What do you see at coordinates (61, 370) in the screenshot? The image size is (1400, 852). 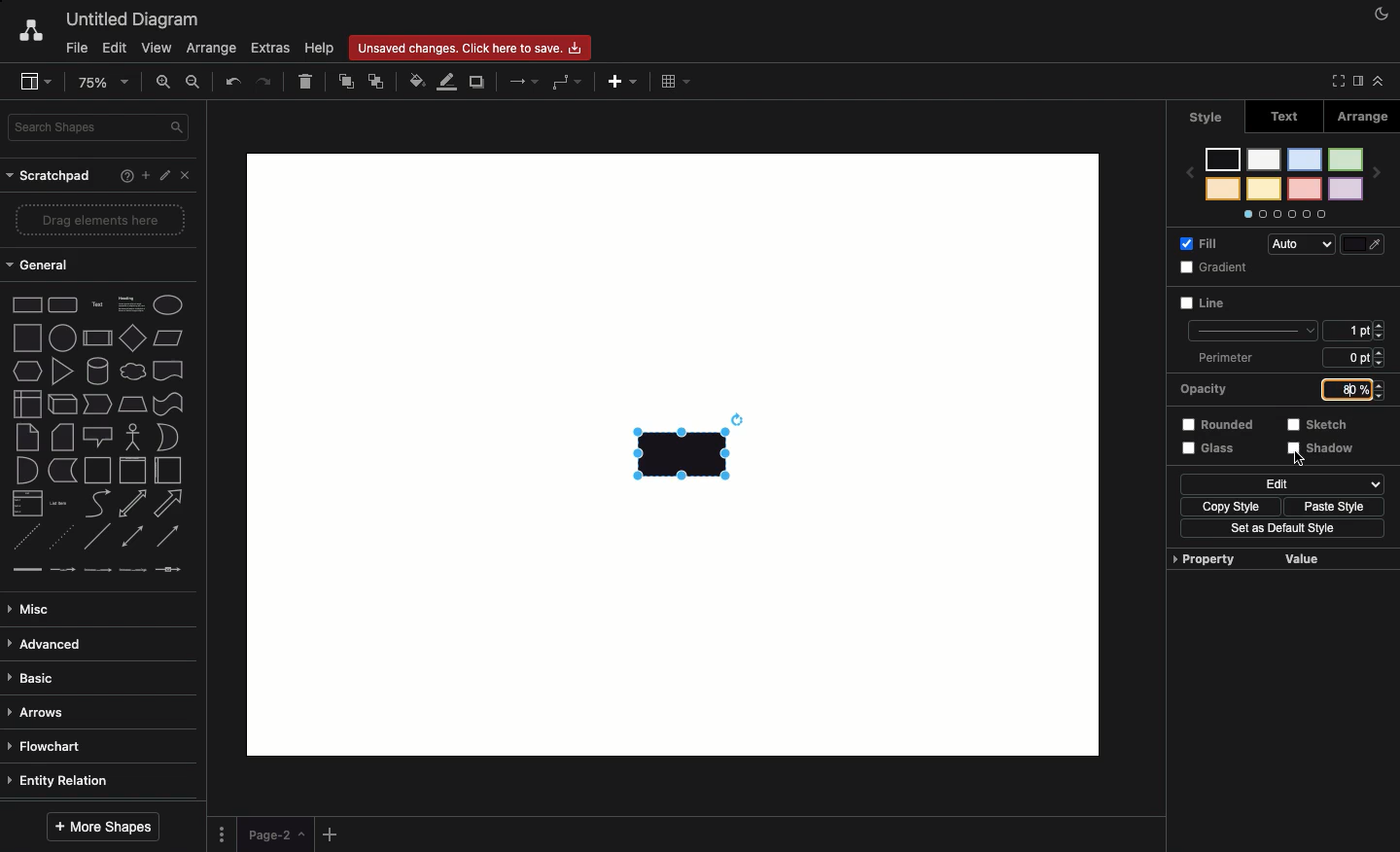 I see `triangle` at bounding box center [61, 370].